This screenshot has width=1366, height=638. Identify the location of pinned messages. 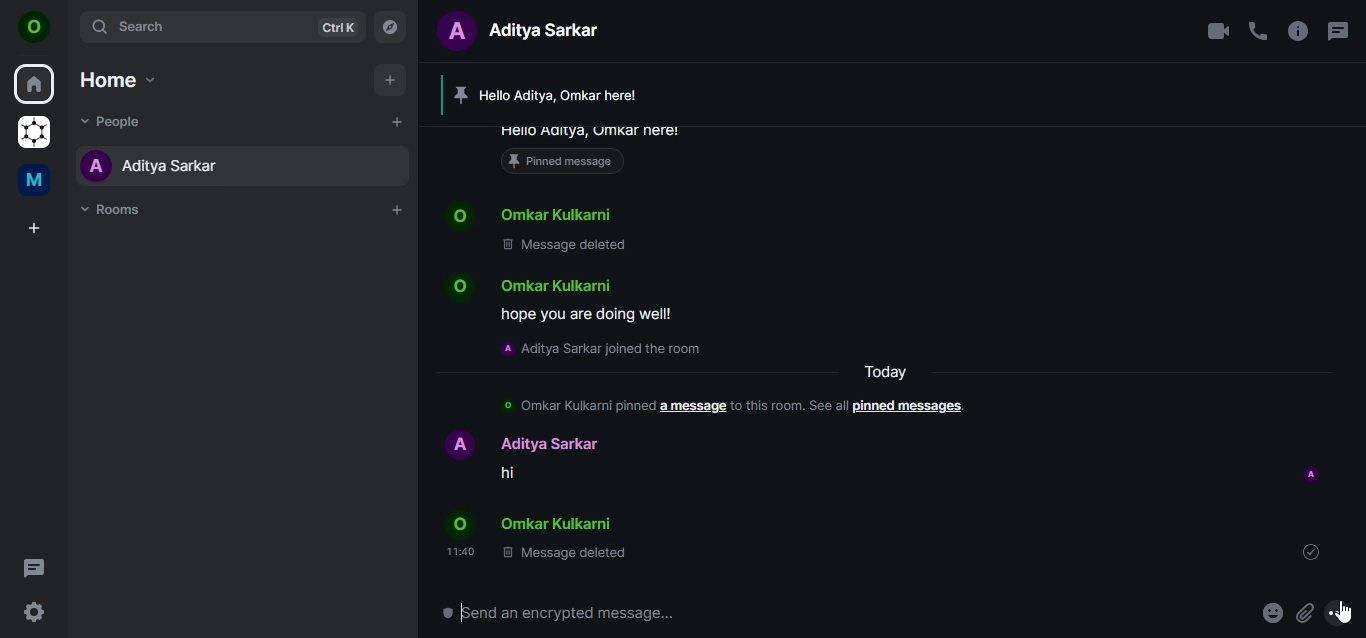
(909, 407).